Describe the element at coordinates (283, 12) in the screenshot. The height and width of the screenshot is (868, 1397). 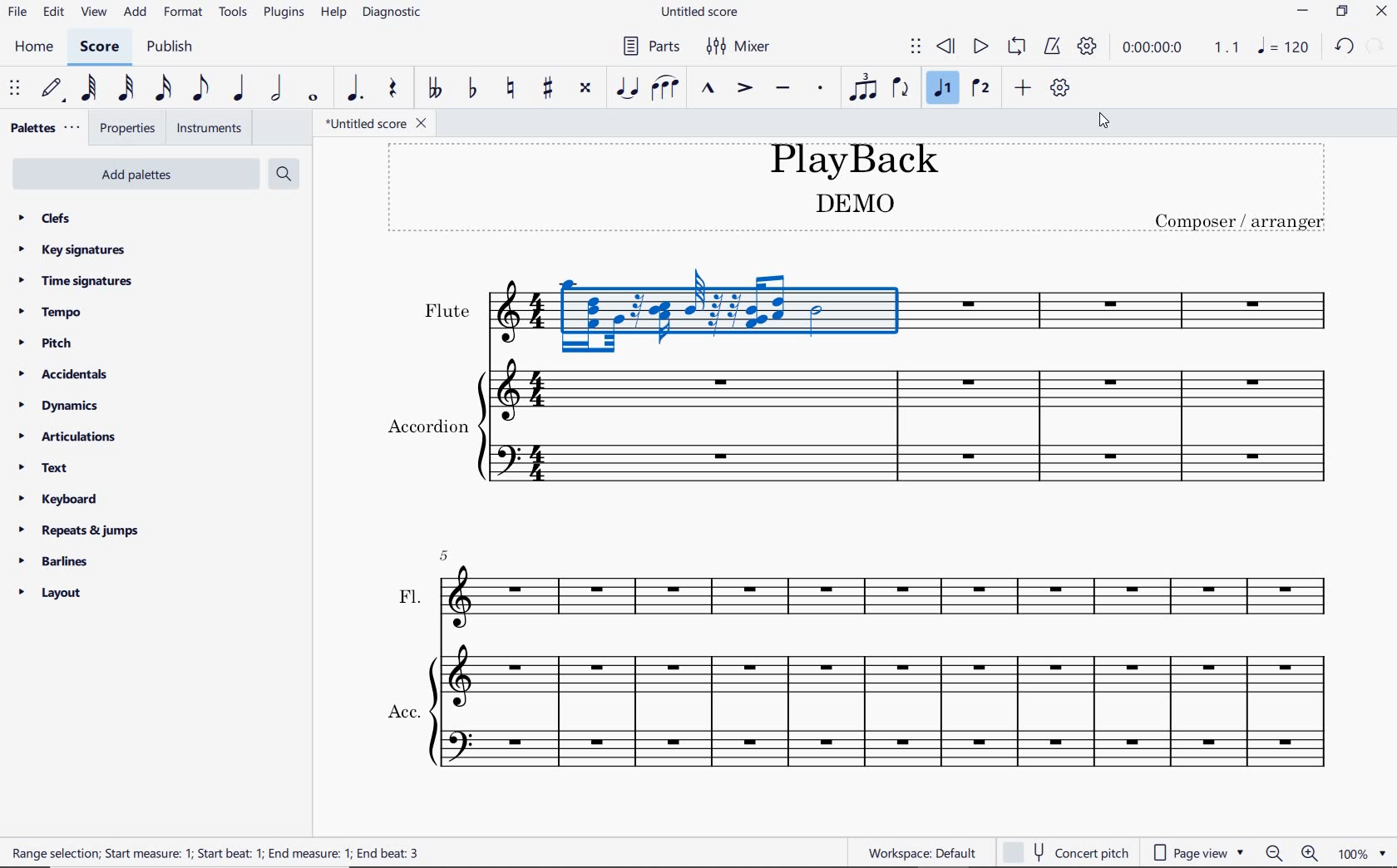
I see `plugins` at that location.